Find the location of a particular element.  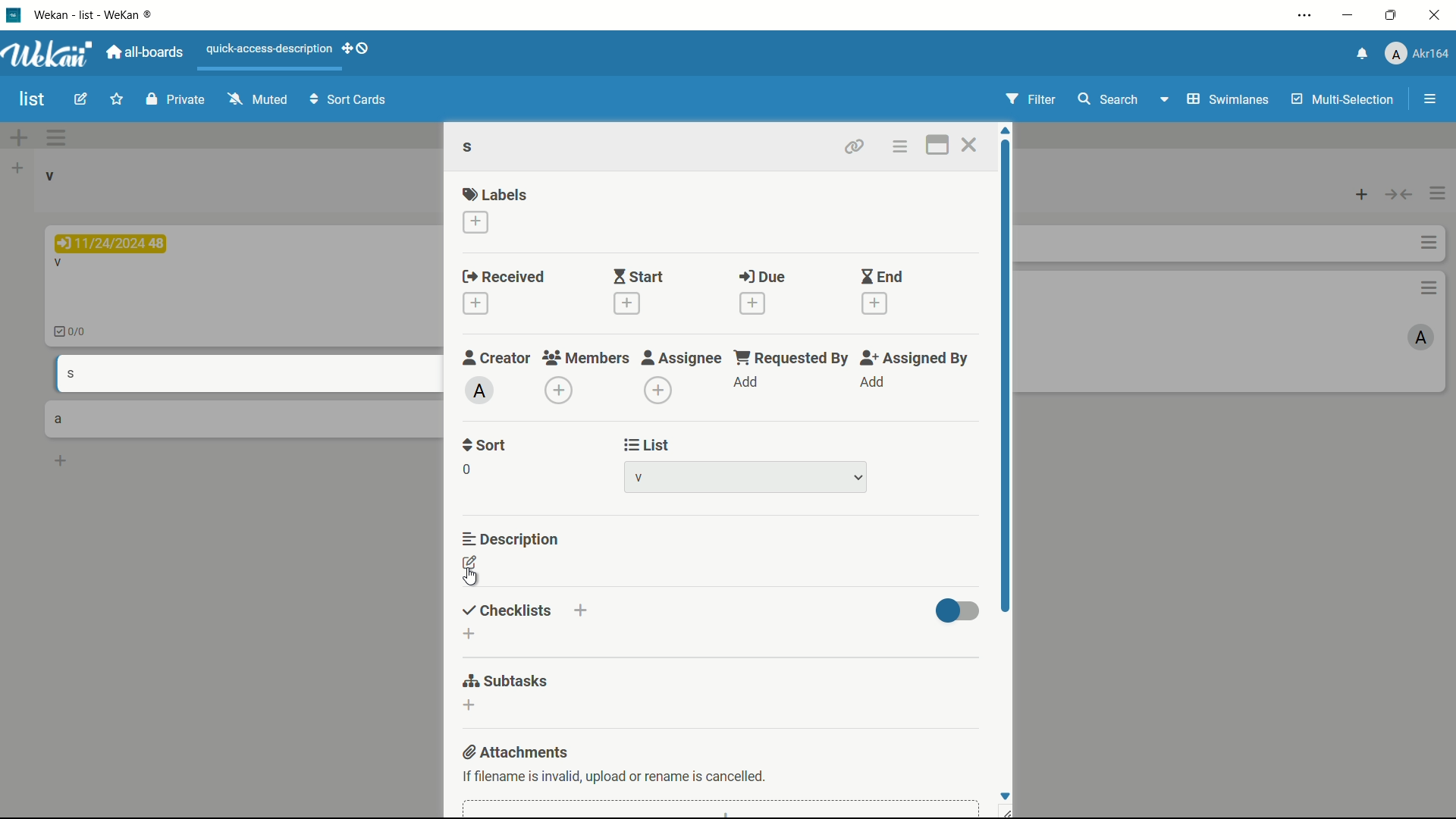

edit is located at coordinates (80, 100).